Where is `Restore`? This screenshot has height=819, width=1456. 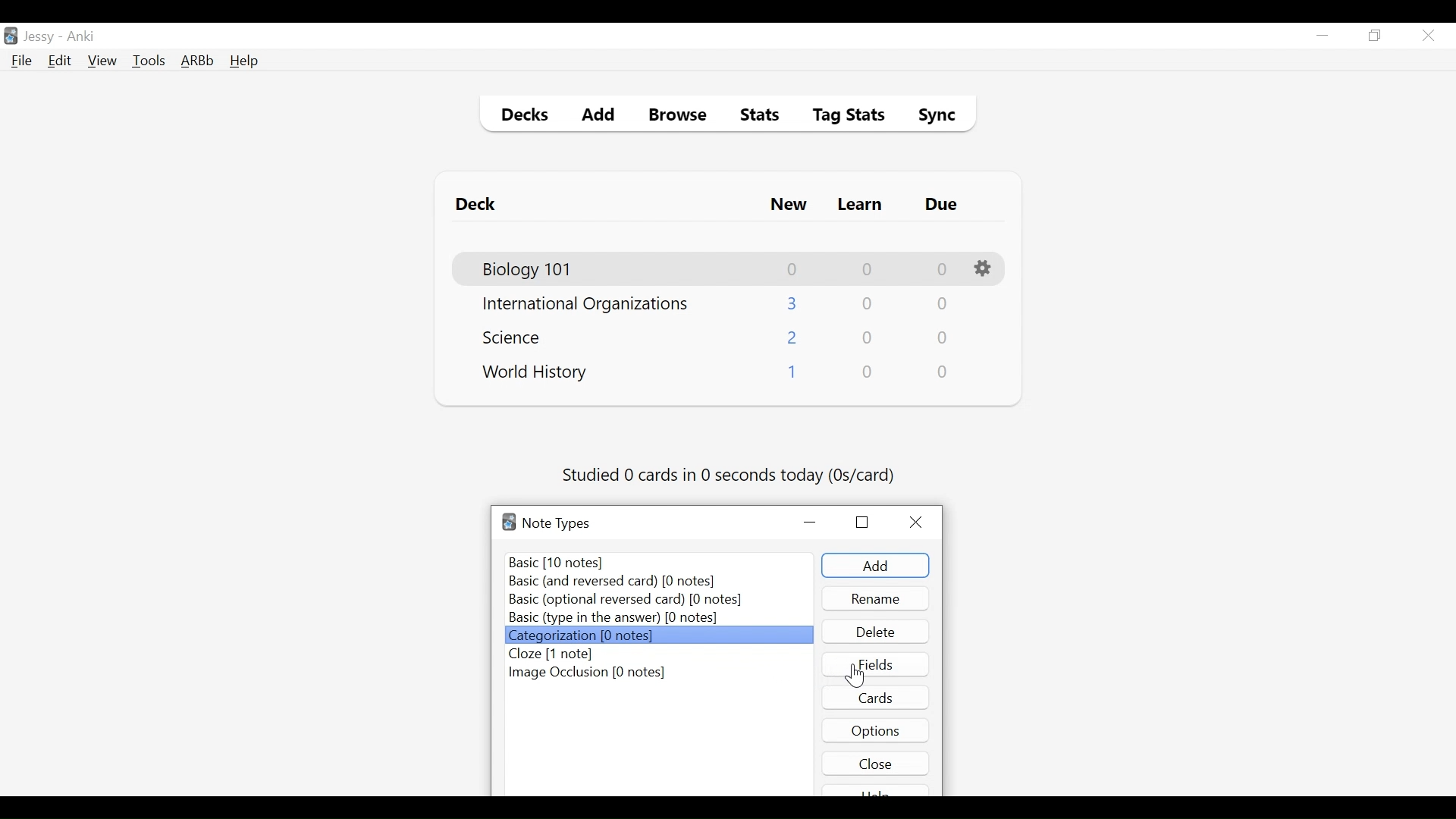
Restore is located at coordinates (1376, 36).